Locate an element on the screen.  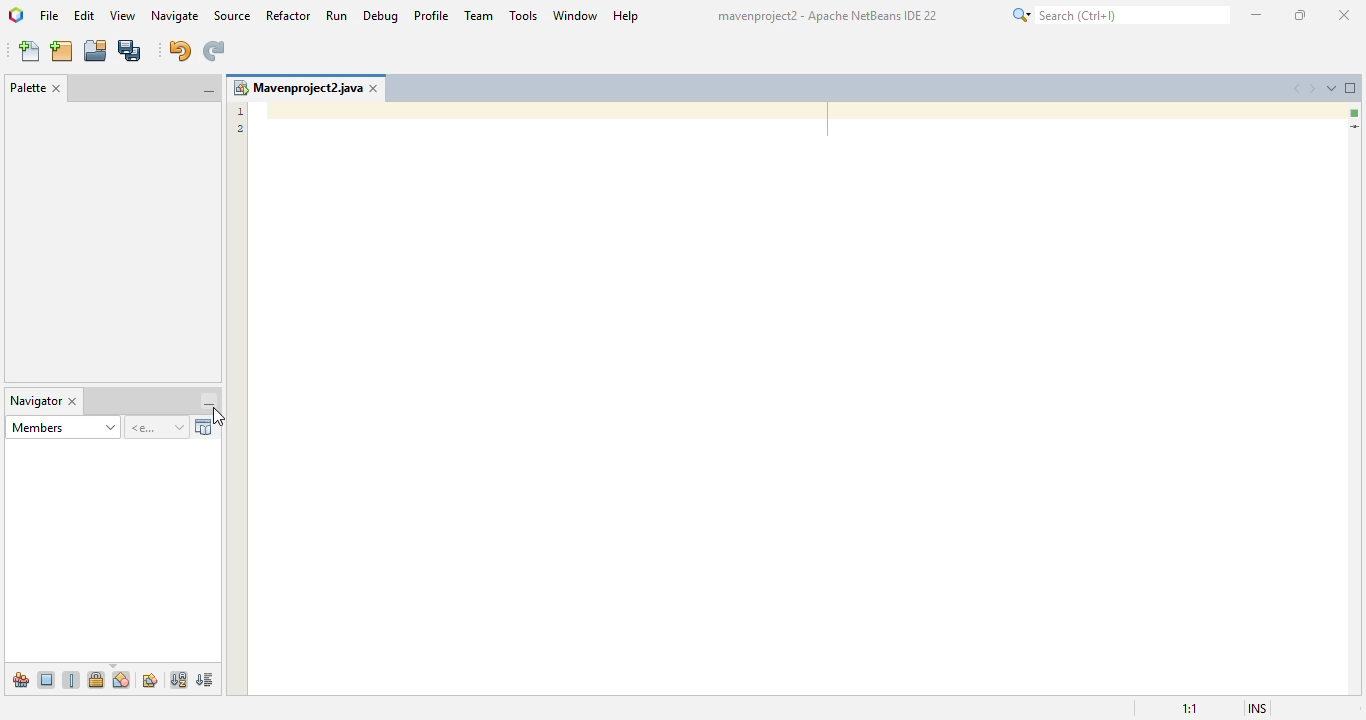
undo is located at coordinates (181, 51).